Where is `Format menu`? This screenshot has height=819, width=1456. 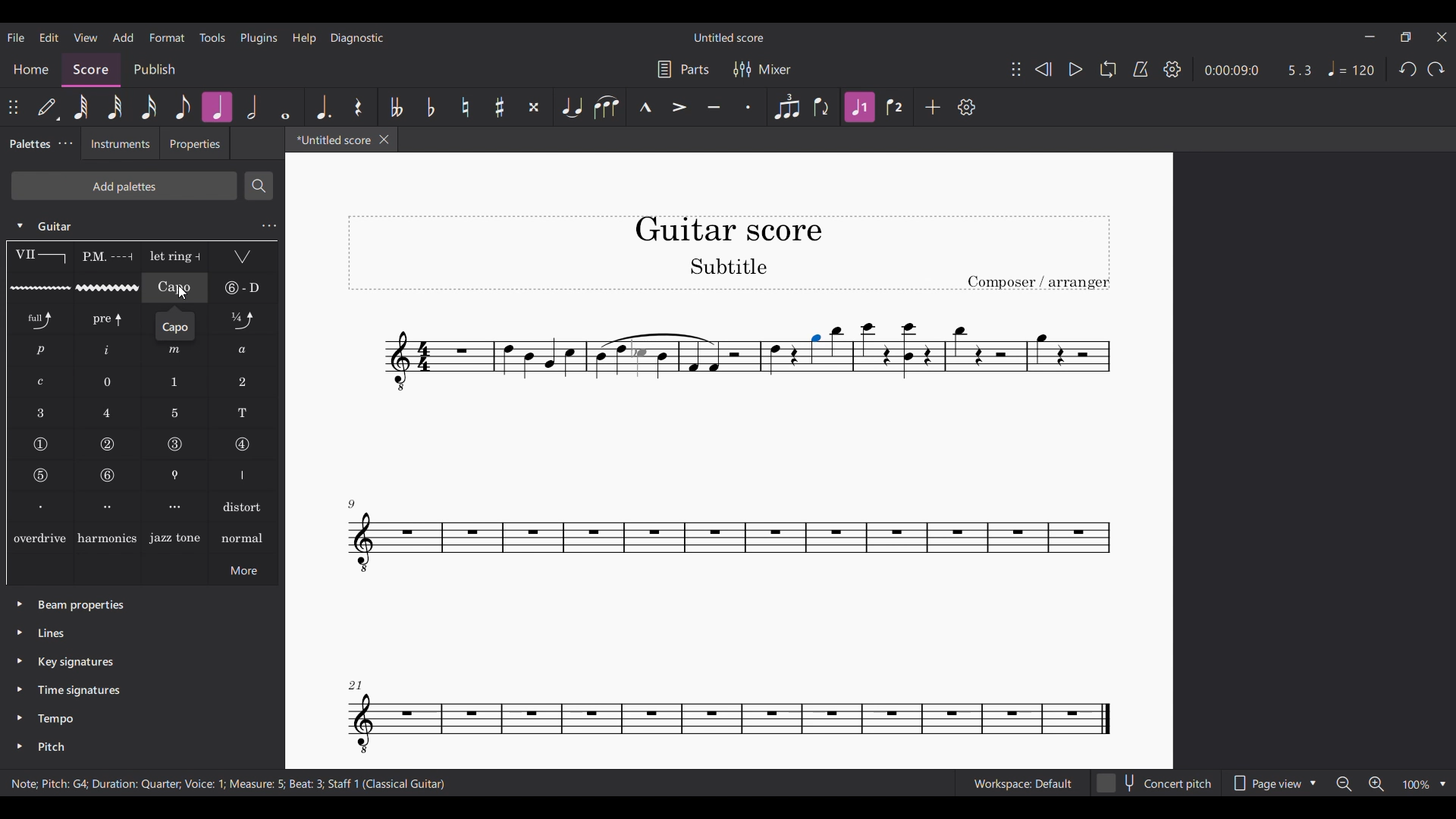
Format menu is located at coordinates (167, 37).